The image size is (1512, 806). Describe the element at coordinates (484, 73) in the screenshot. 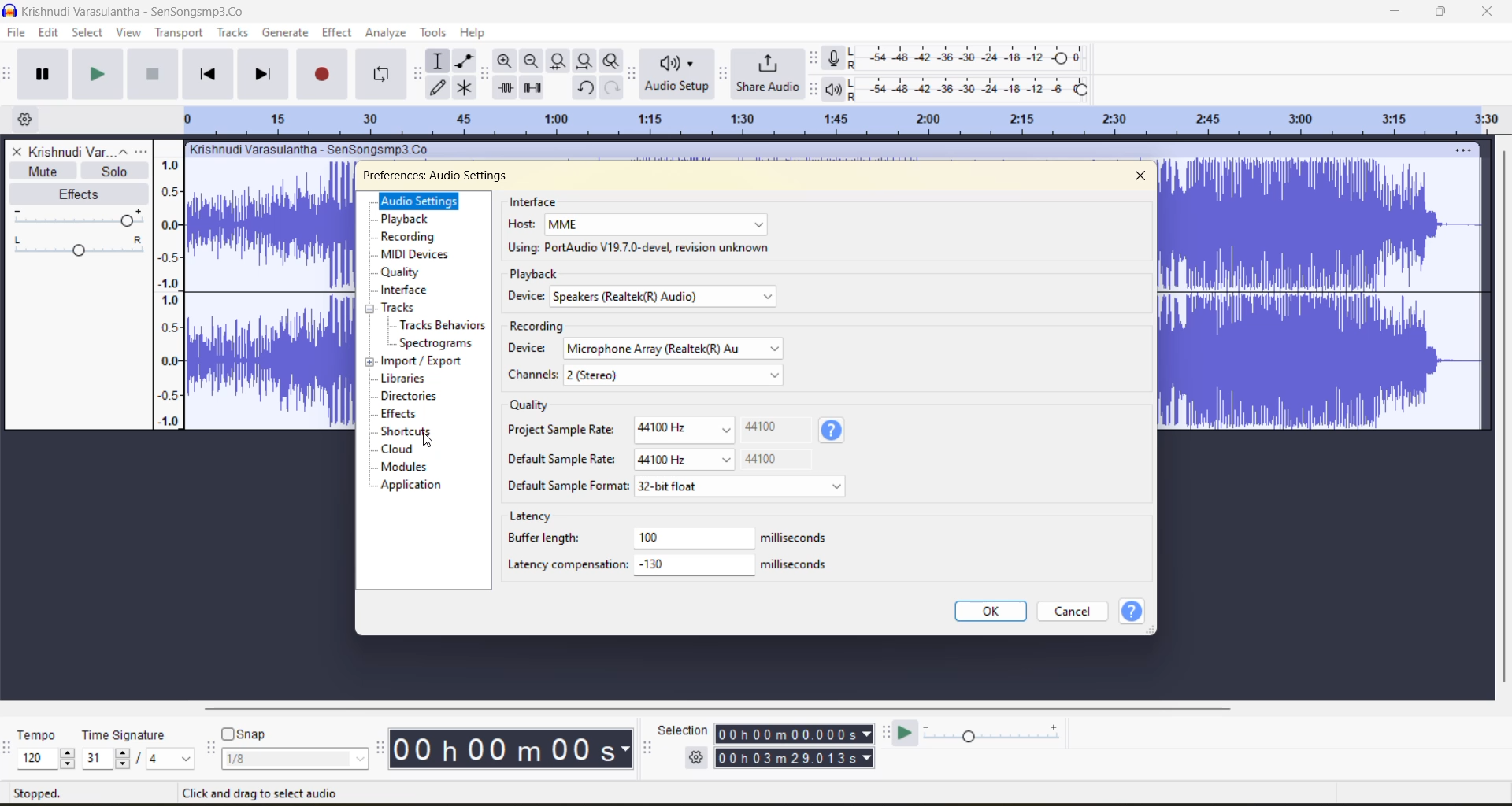

I see `edit tool bar` at that location.